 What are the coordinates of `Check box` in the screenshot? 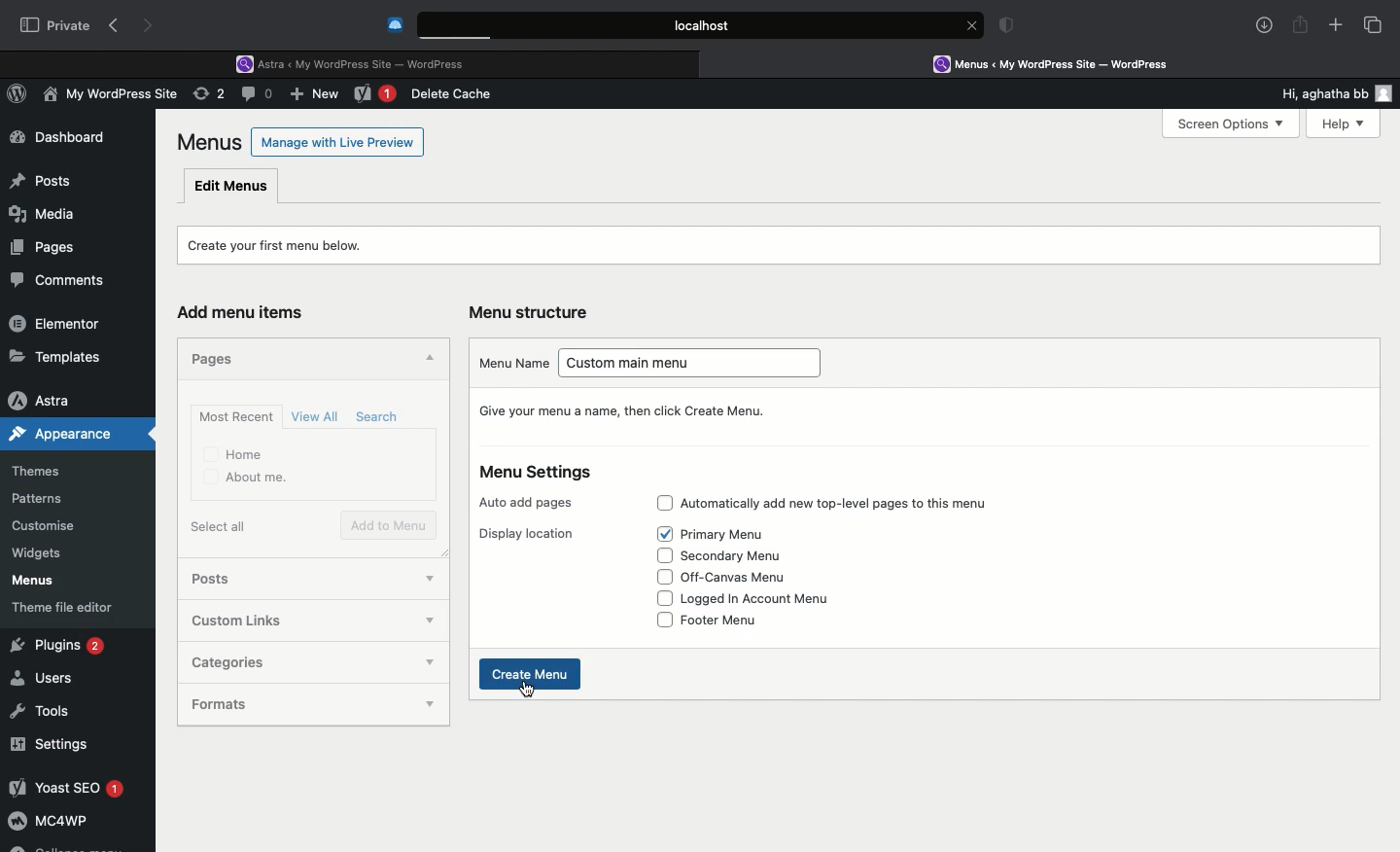 It's located at (663, 621).